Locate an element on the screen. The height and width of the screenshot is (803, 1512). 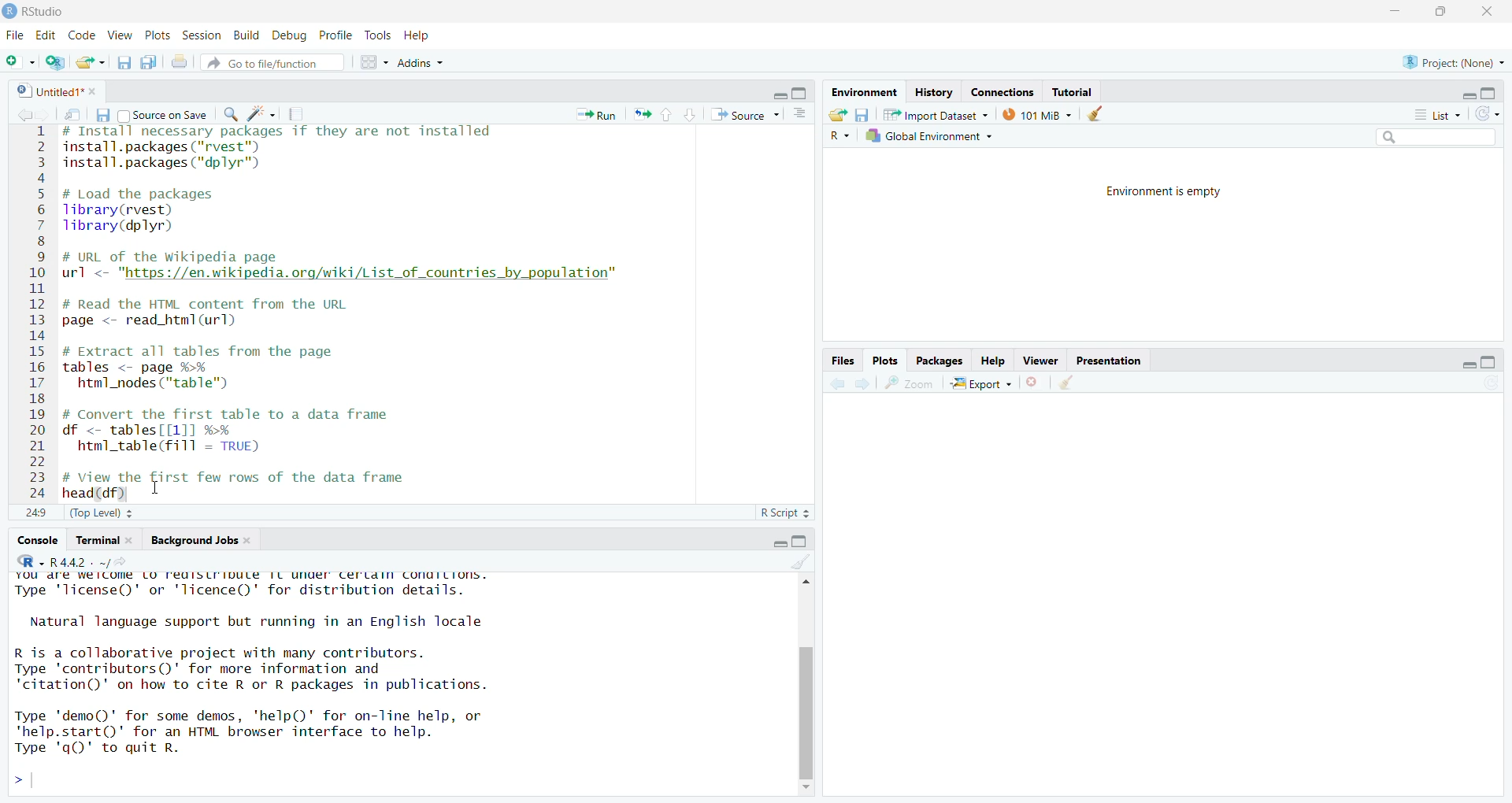
File is located at coordinates (15, 35).